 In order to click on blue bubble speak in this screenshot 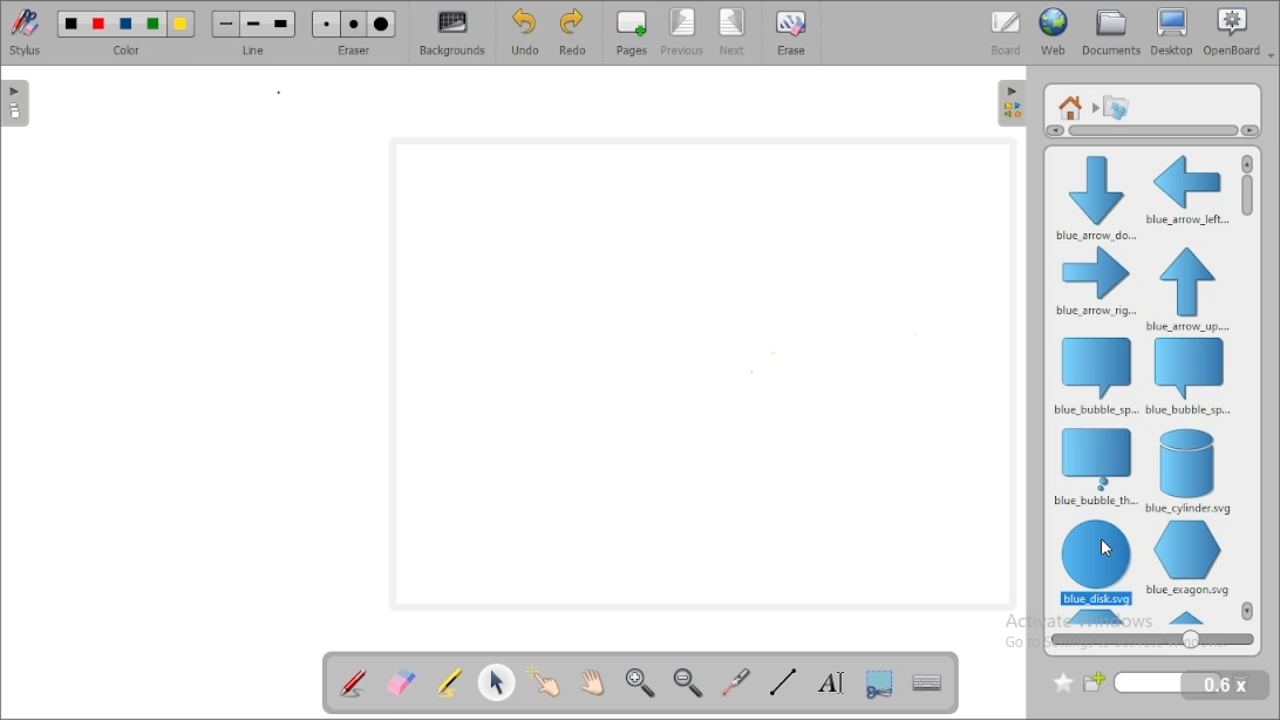, I will do `click(1094, 375)`.